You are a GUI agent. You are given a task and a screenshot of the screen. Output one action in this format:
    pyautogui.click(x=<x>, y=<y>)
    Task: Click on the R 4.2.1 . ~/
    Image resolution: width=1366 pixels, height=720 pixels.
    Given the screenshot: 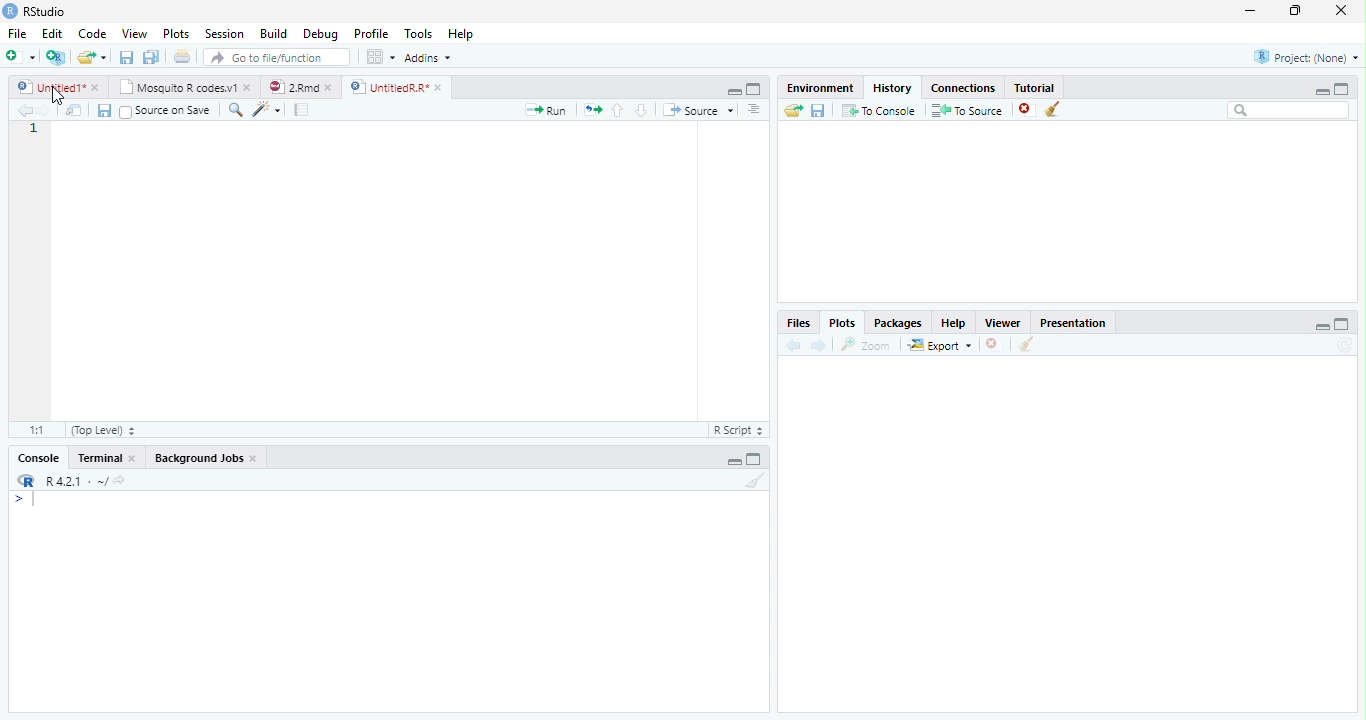 What is the action you would take?
    pyautogui.click(x=76, y=480)
    